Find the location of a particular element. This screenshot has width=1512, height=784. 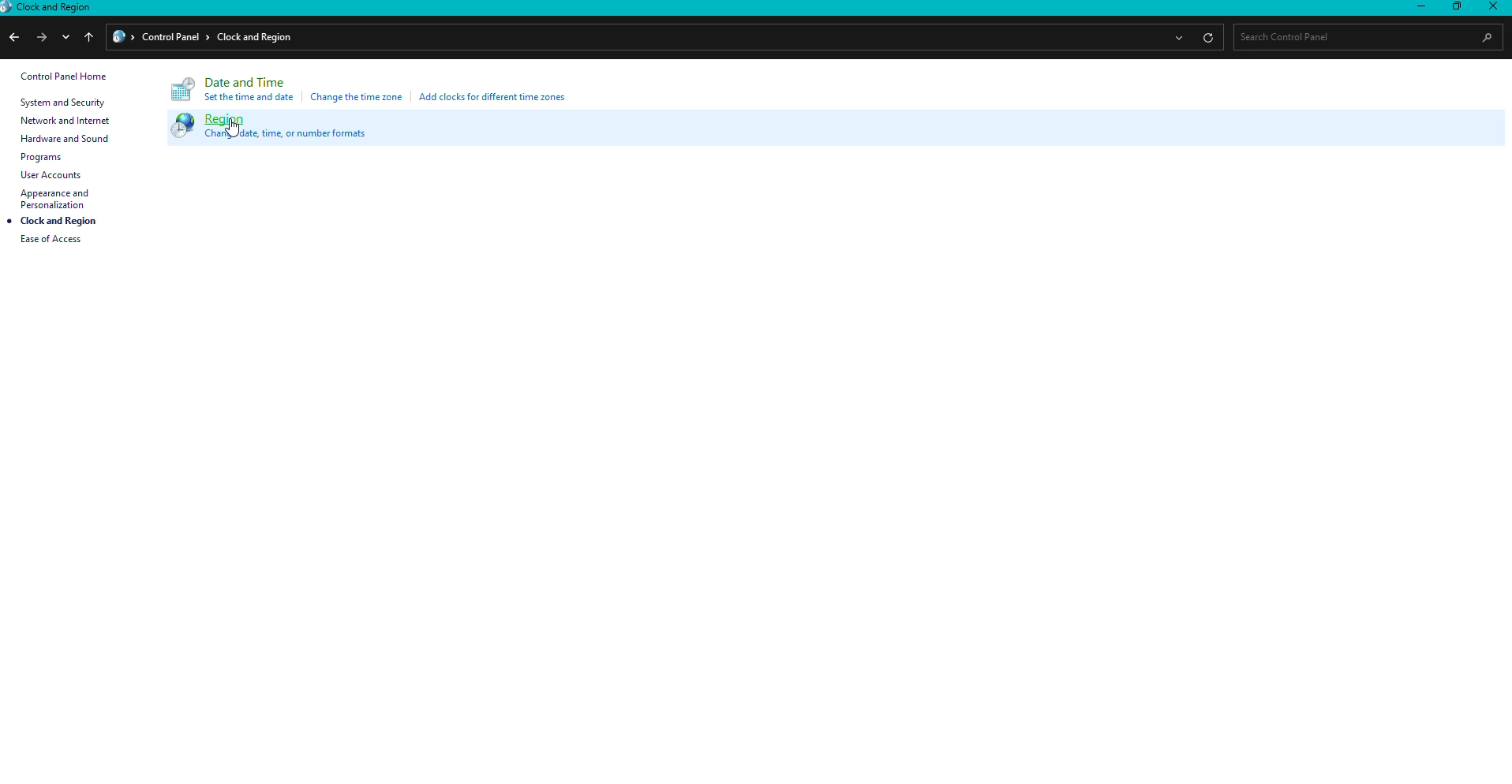

previous is located at coordinates (13, 39).